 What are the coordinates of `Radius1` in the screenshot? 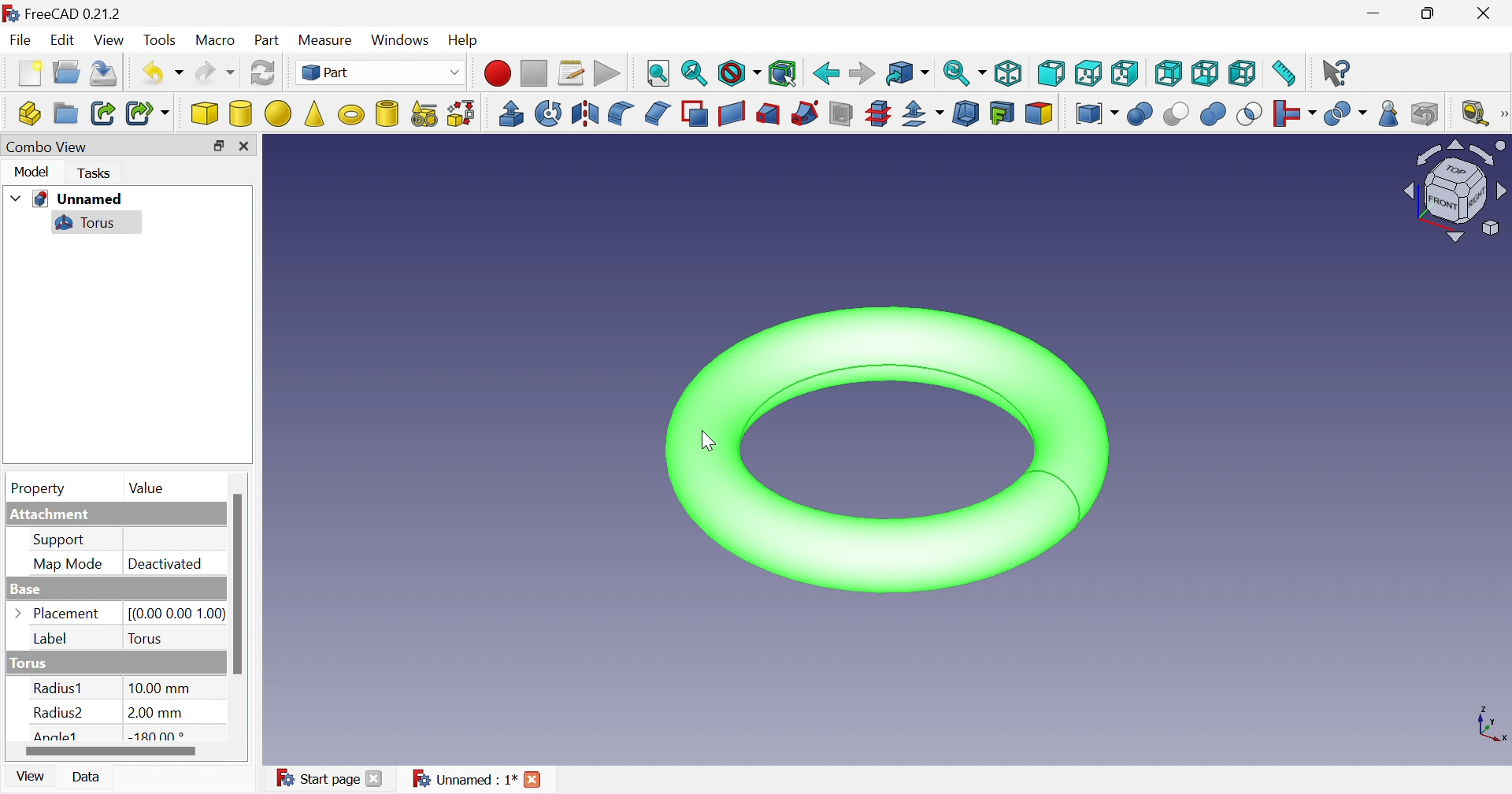 It's located at (60, 688).